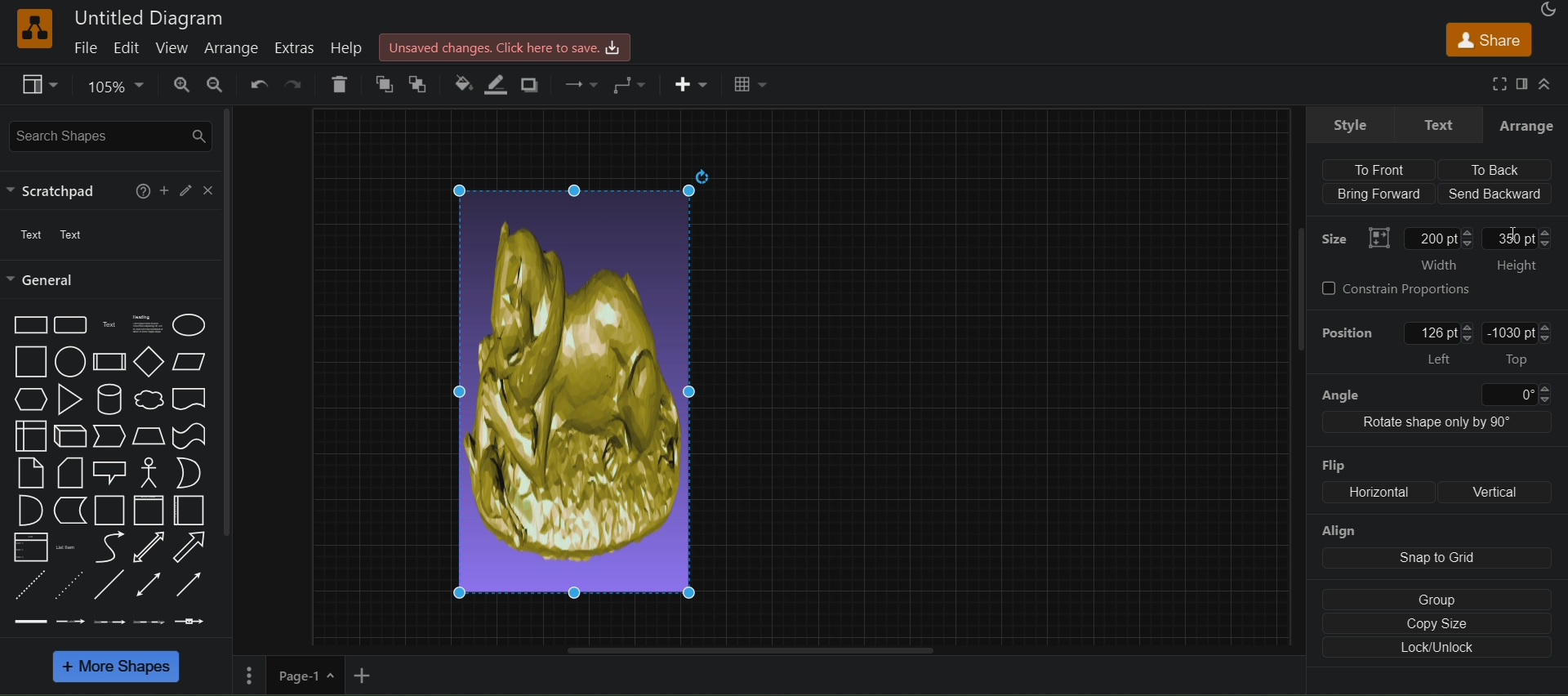  What do you see at coordinates (1432, 561) in the screenshot?
I see `align` at bounding box center [1432, 561].